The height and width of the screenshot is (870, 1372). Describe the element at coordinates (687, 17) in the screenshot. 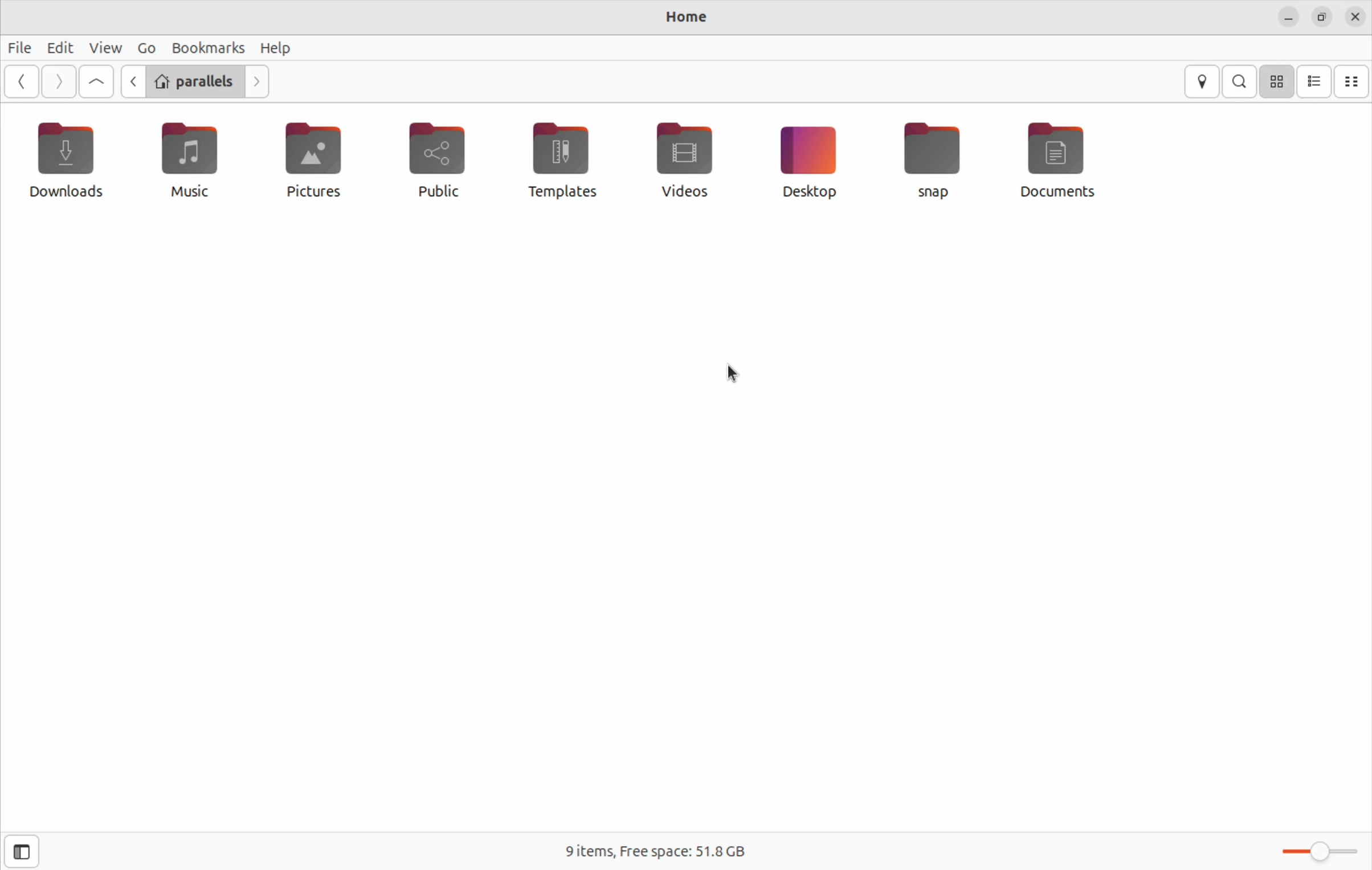

I see `Home` at that location.